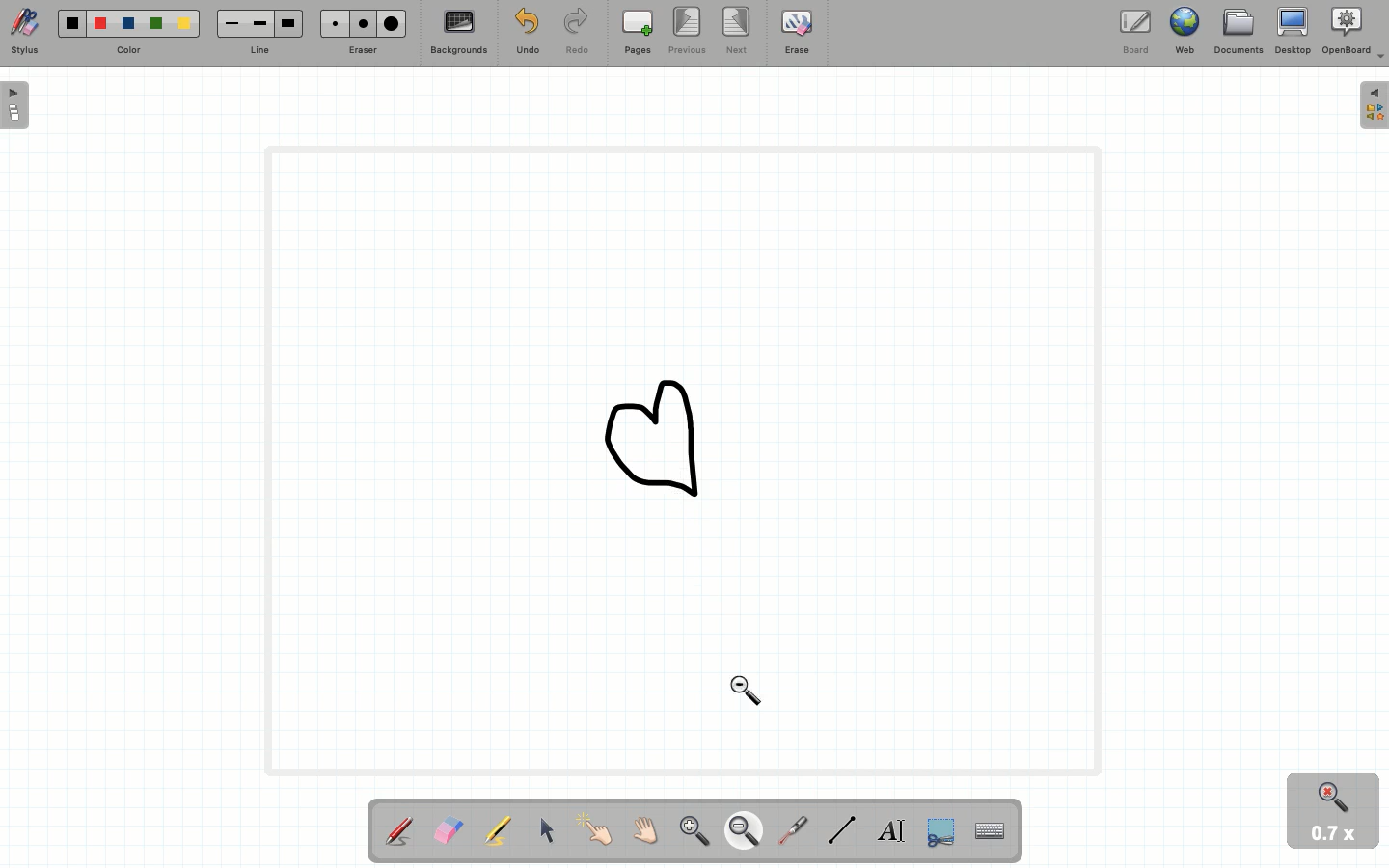  I want to click on Selection tool, so click(937, 833).